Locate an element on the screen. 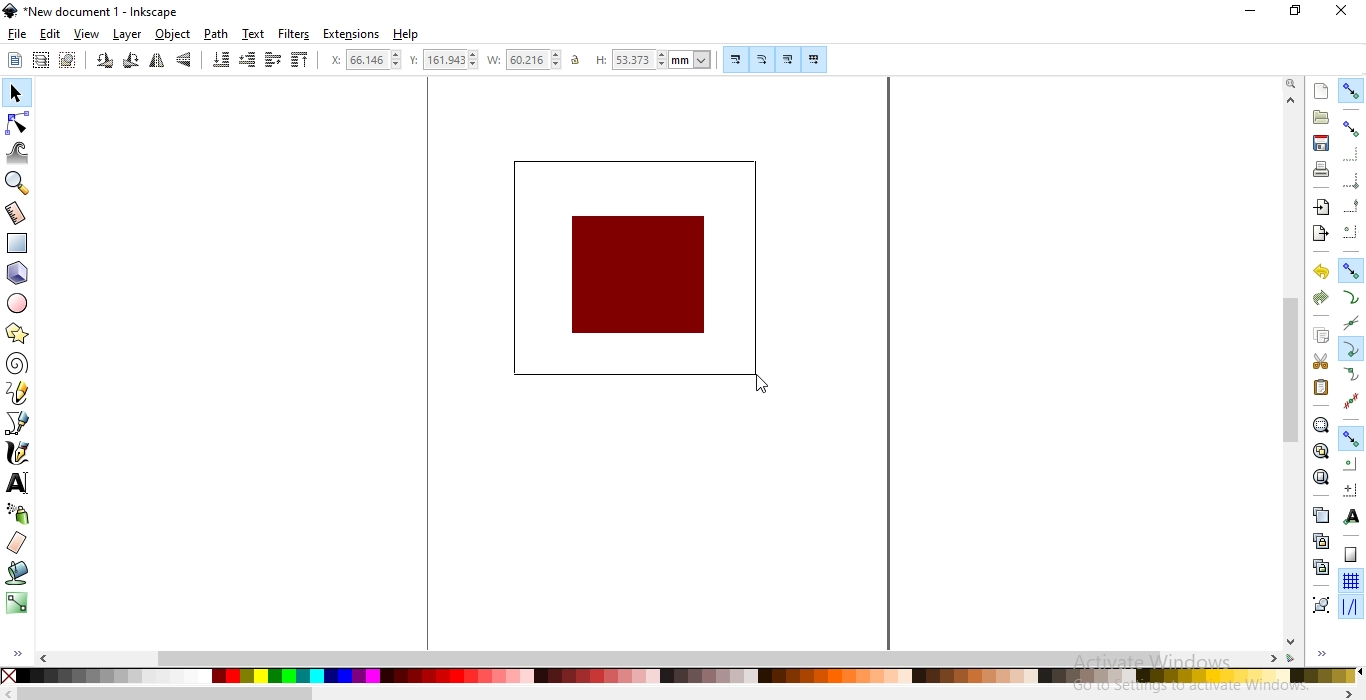  save document is located at coordinates (1322, 144).